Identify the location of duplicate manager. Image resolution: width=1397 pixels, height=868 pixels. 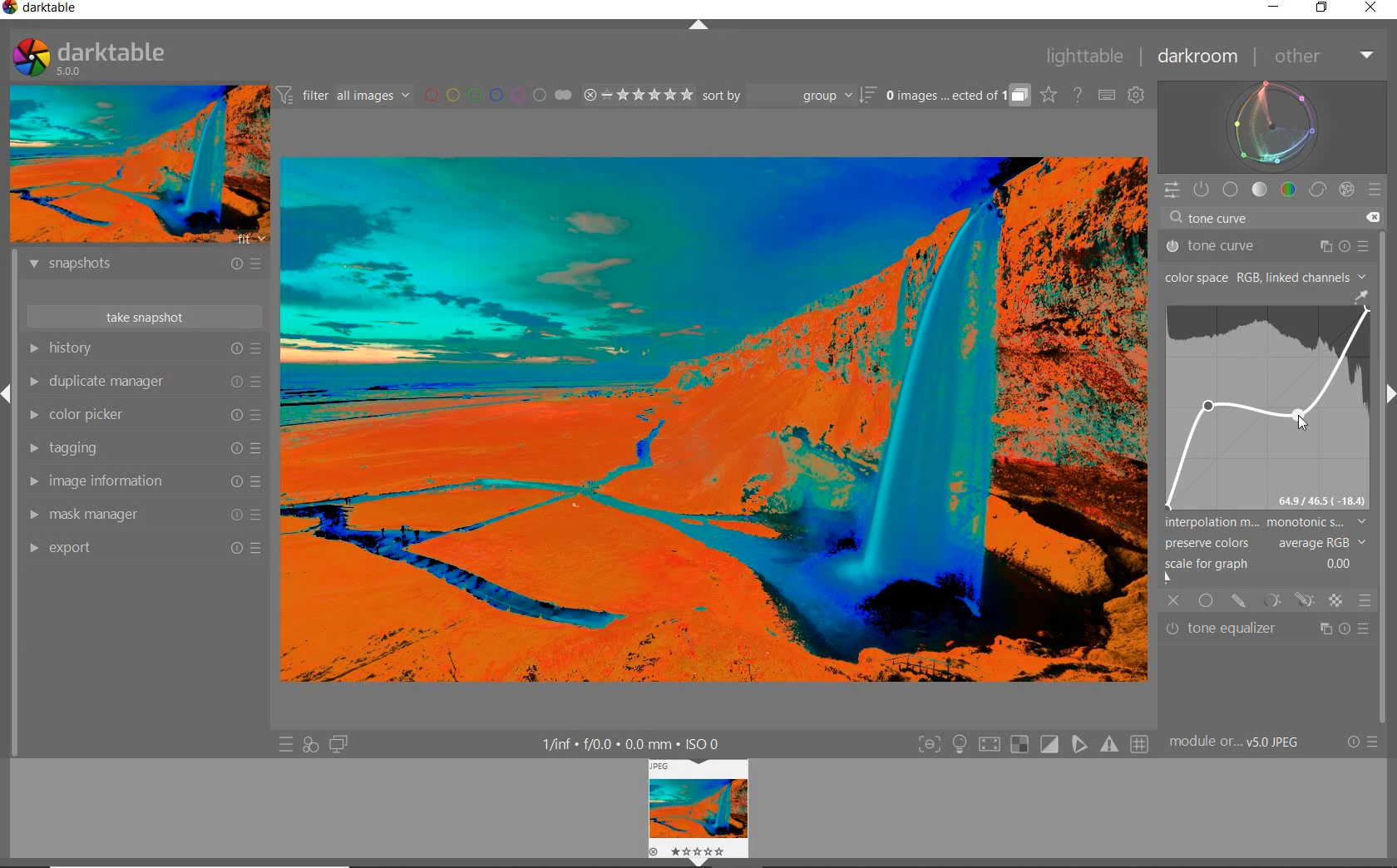
(144, 381).